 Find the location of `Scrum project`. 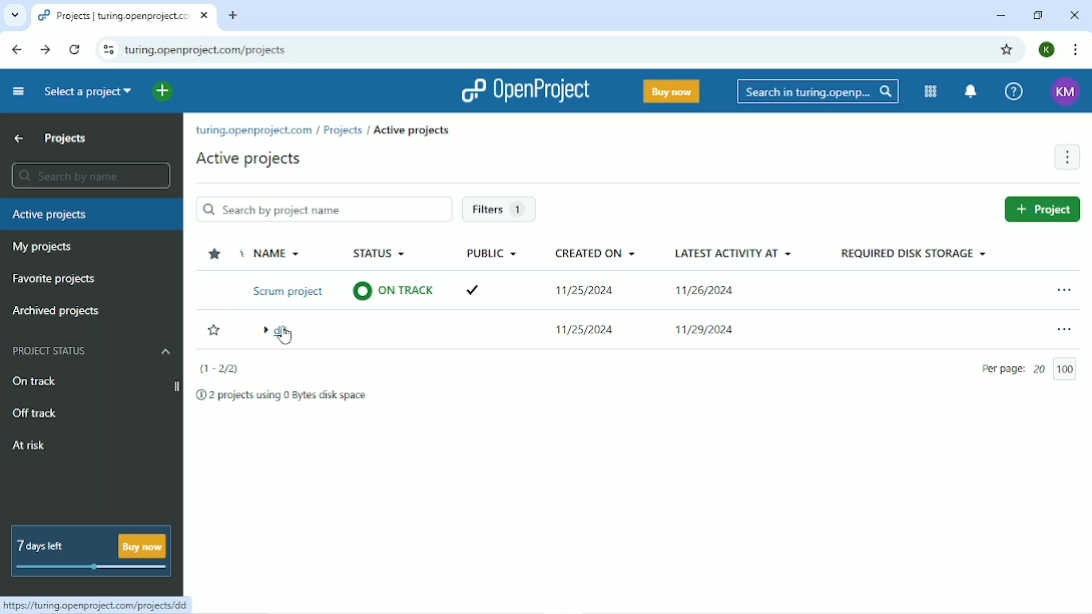

Scrum project is located at coordinates (288, 292).